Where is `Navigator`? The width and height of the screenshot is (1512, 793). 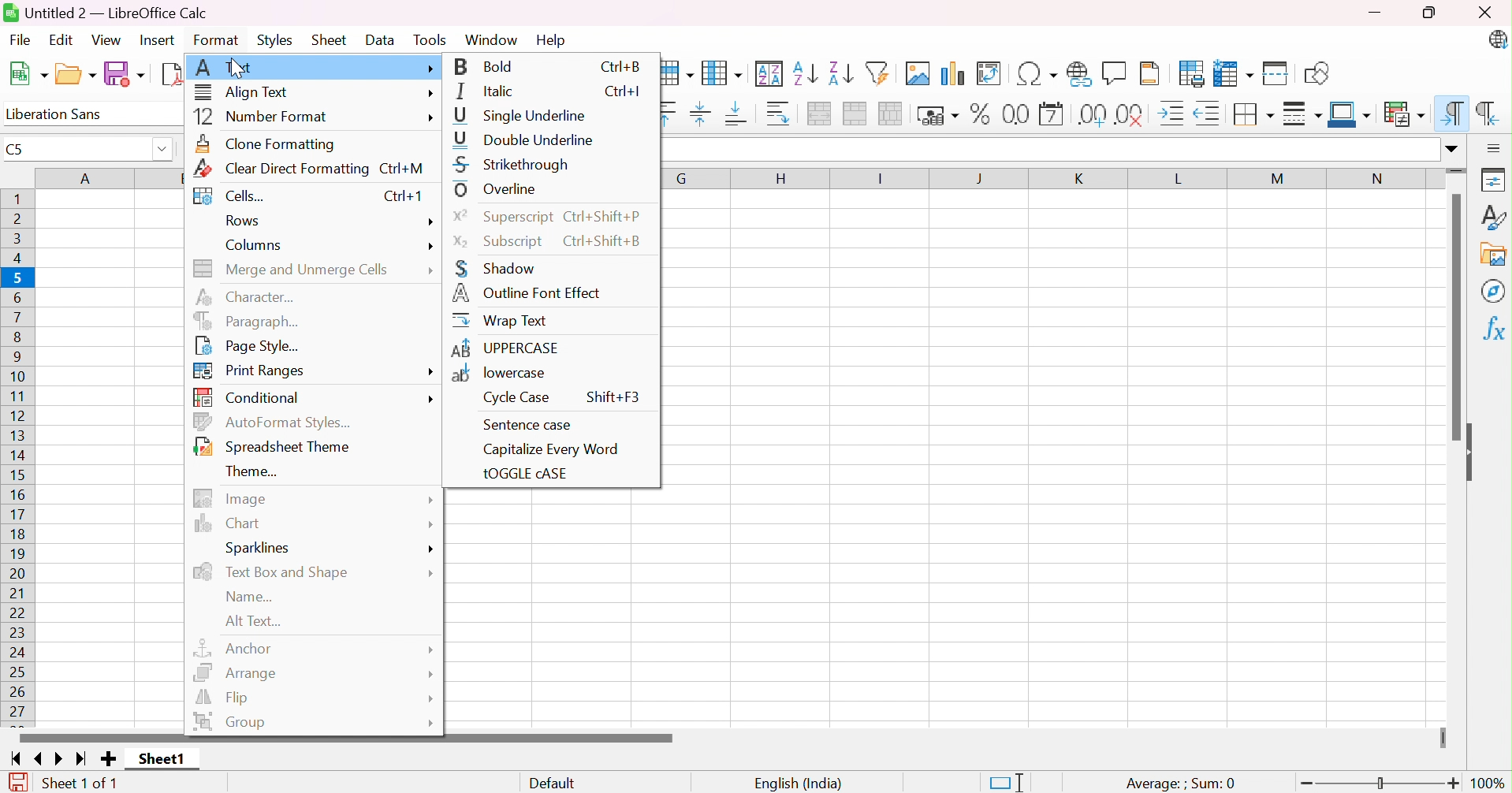 Navigator is located at coordinates (1496, 289).